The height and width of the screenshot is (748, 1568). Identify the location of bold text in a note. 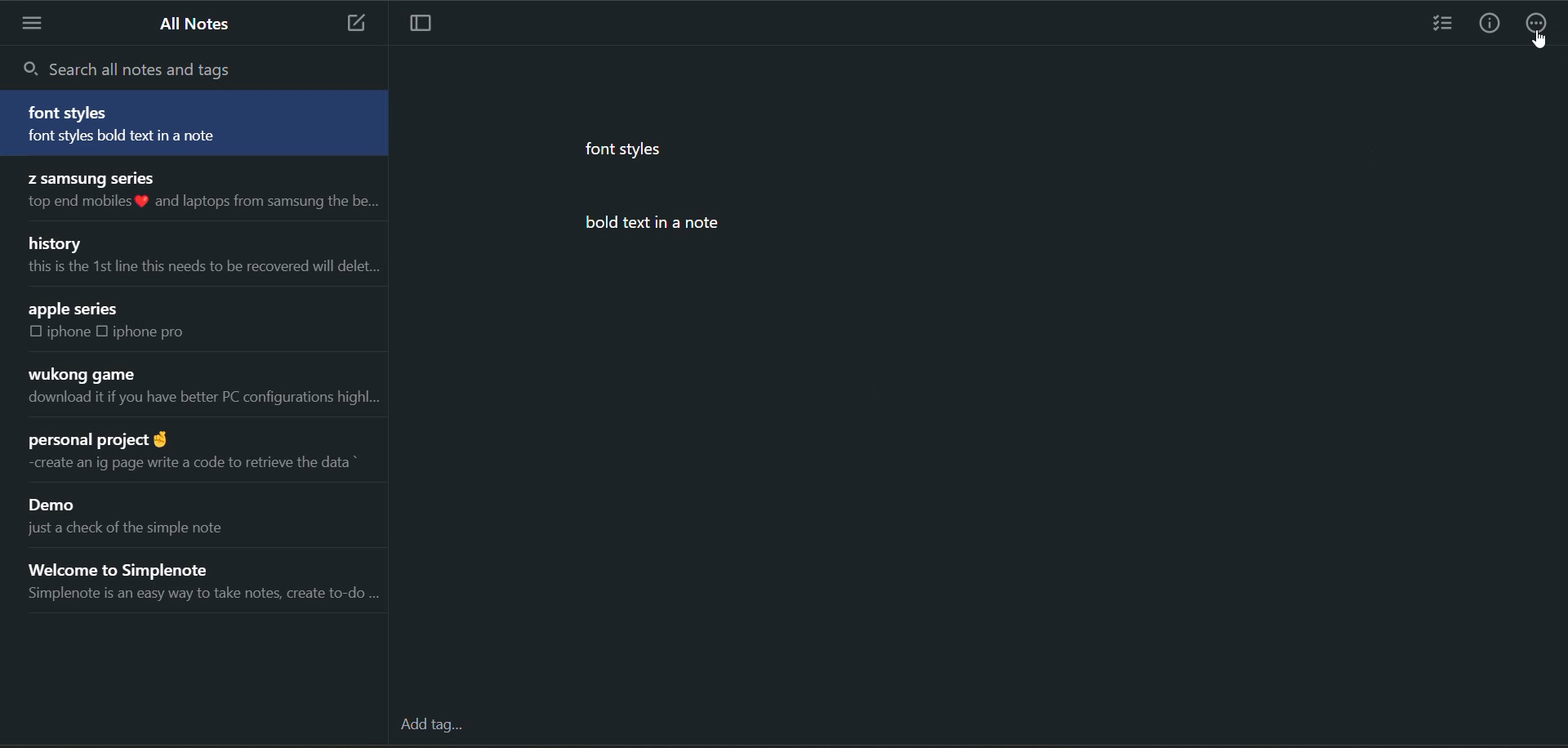
(673, 225).